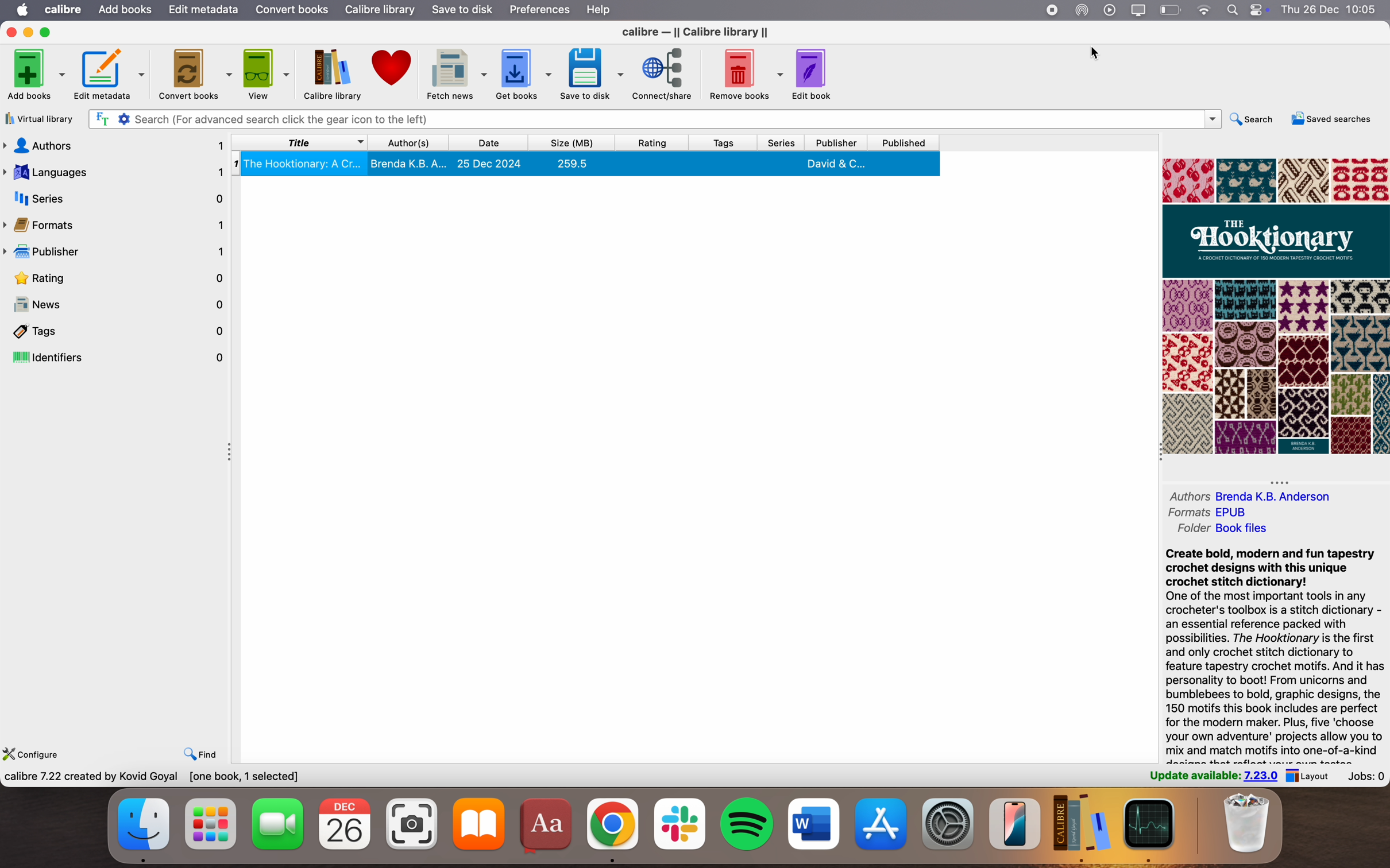 The height and width of the screenshot is (868, 1390). What do you see at coordinates (812, 74) in the screenshot?
I see `edit book` at bounding box center [812, 74].